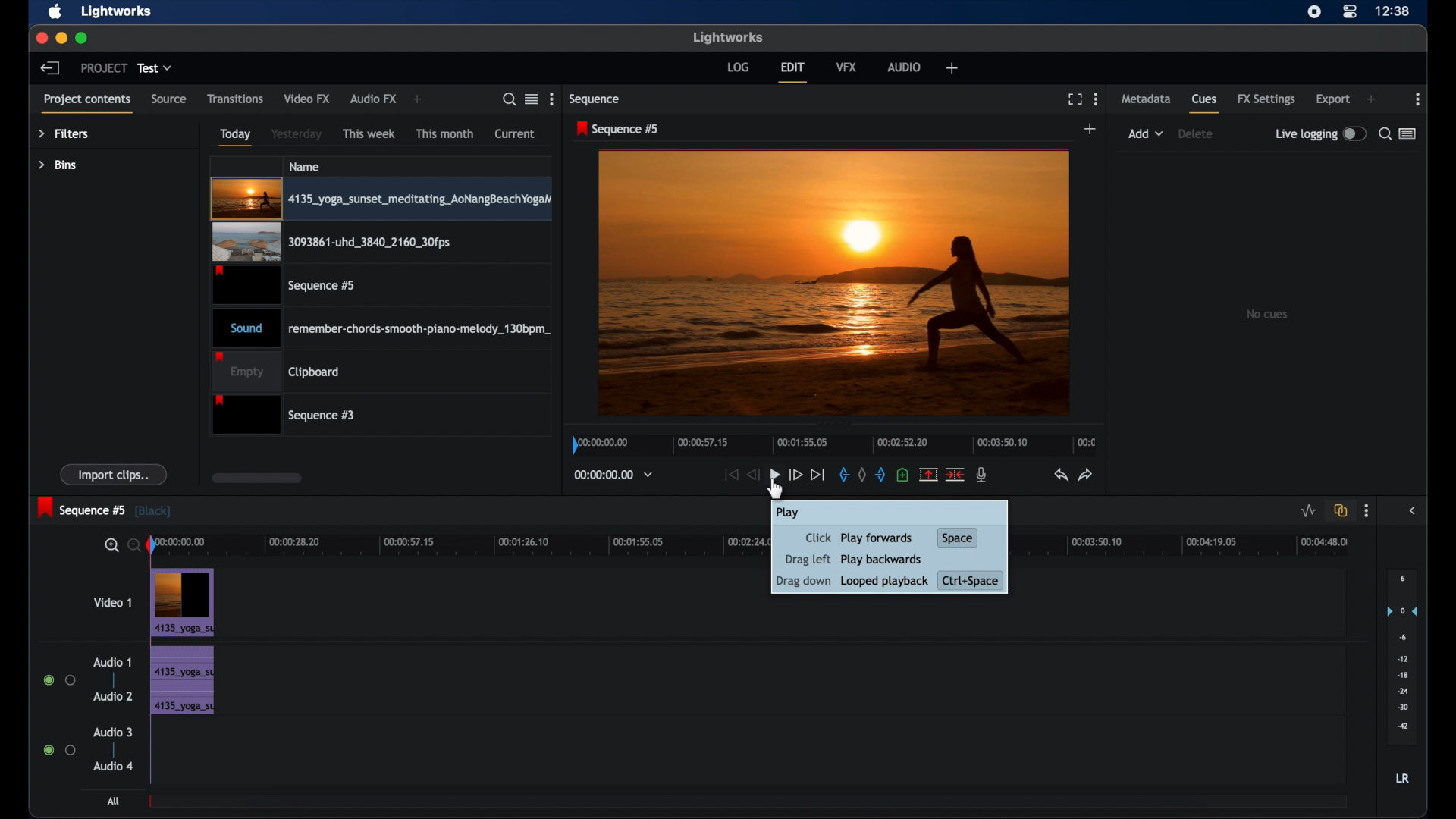  What do you see at coordinates (308, 99) in the screenshot?
I see `video fx` at bounding box center [308, 99].